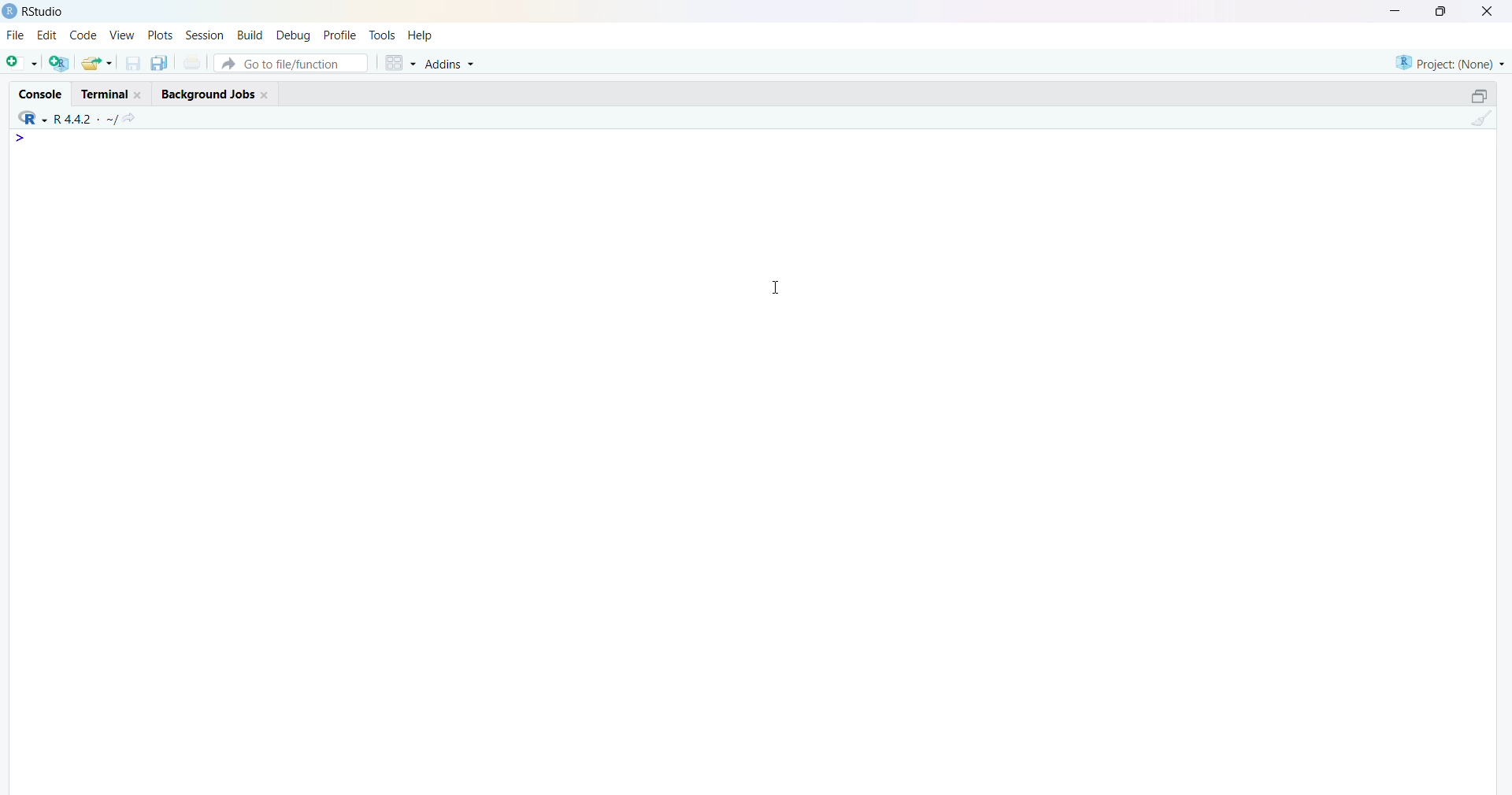  Describe the element at coordinates (98, 63) in the screenshot. I see `share` at that location.